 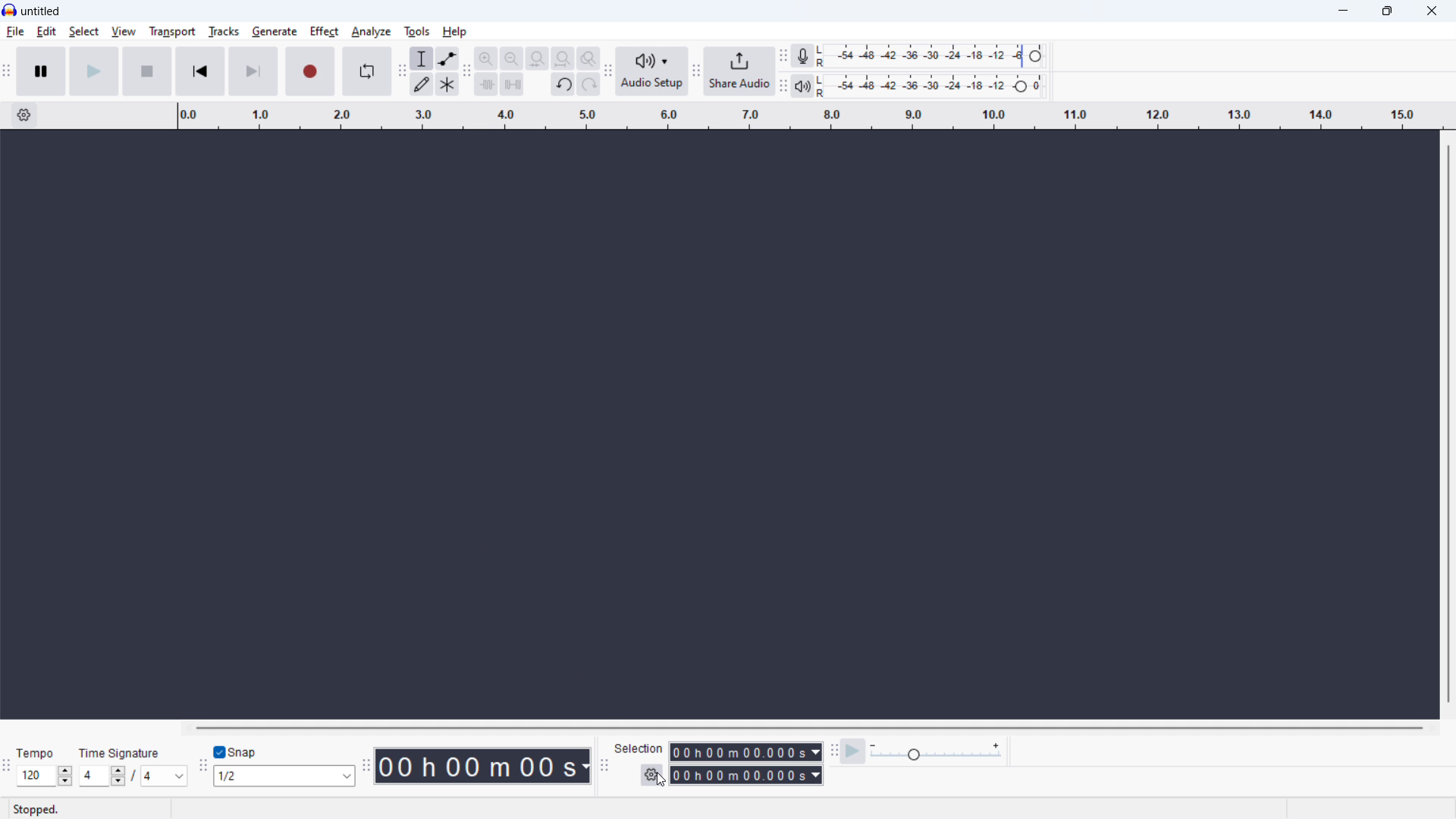 What do you see at coordinates (931, 86) in the screenshot?
I see `playback level` at bounding box center [931, 86].